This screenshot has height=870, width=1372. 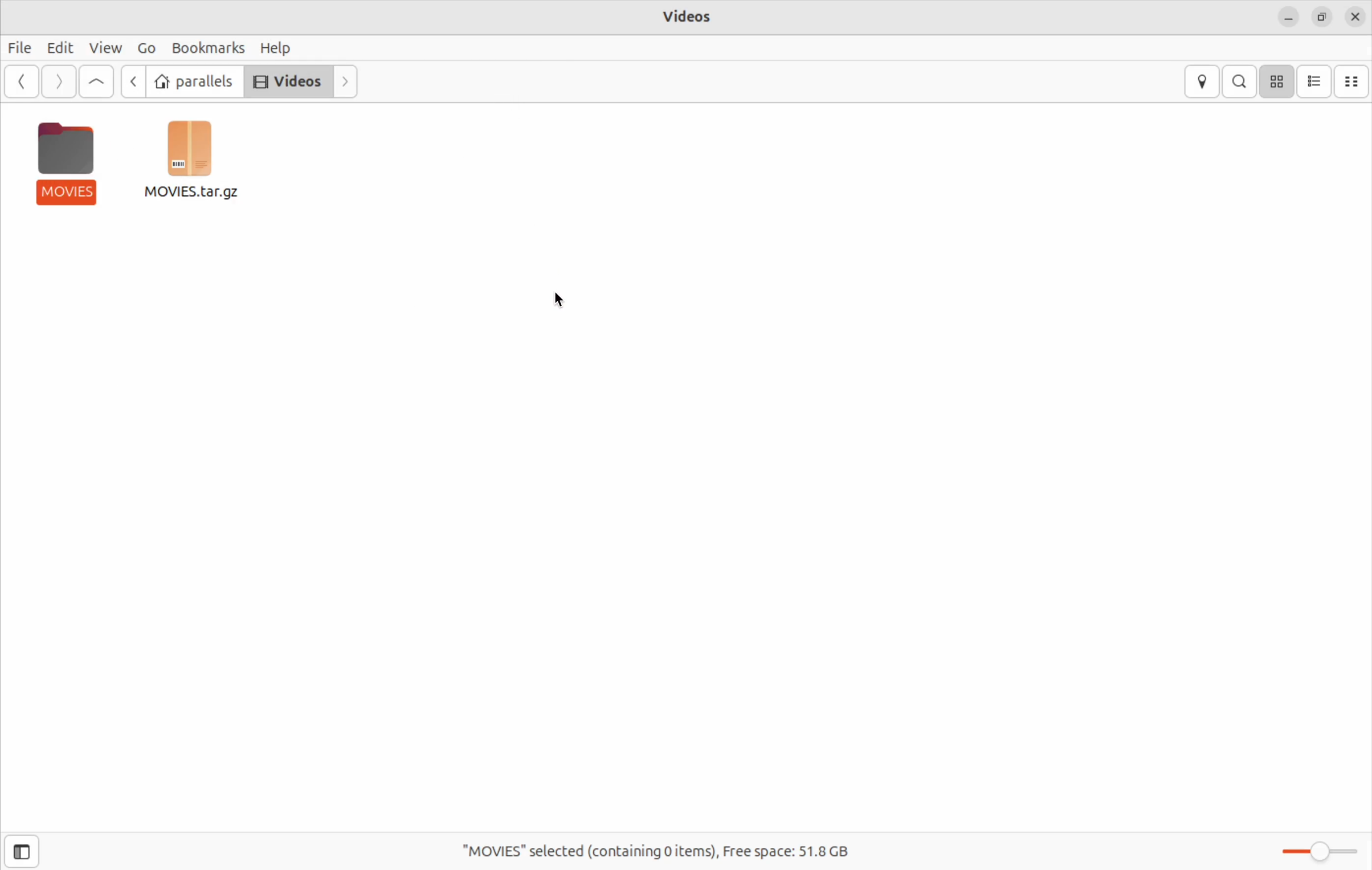 I want to click on bookmarks, so click(x=209, y=47).